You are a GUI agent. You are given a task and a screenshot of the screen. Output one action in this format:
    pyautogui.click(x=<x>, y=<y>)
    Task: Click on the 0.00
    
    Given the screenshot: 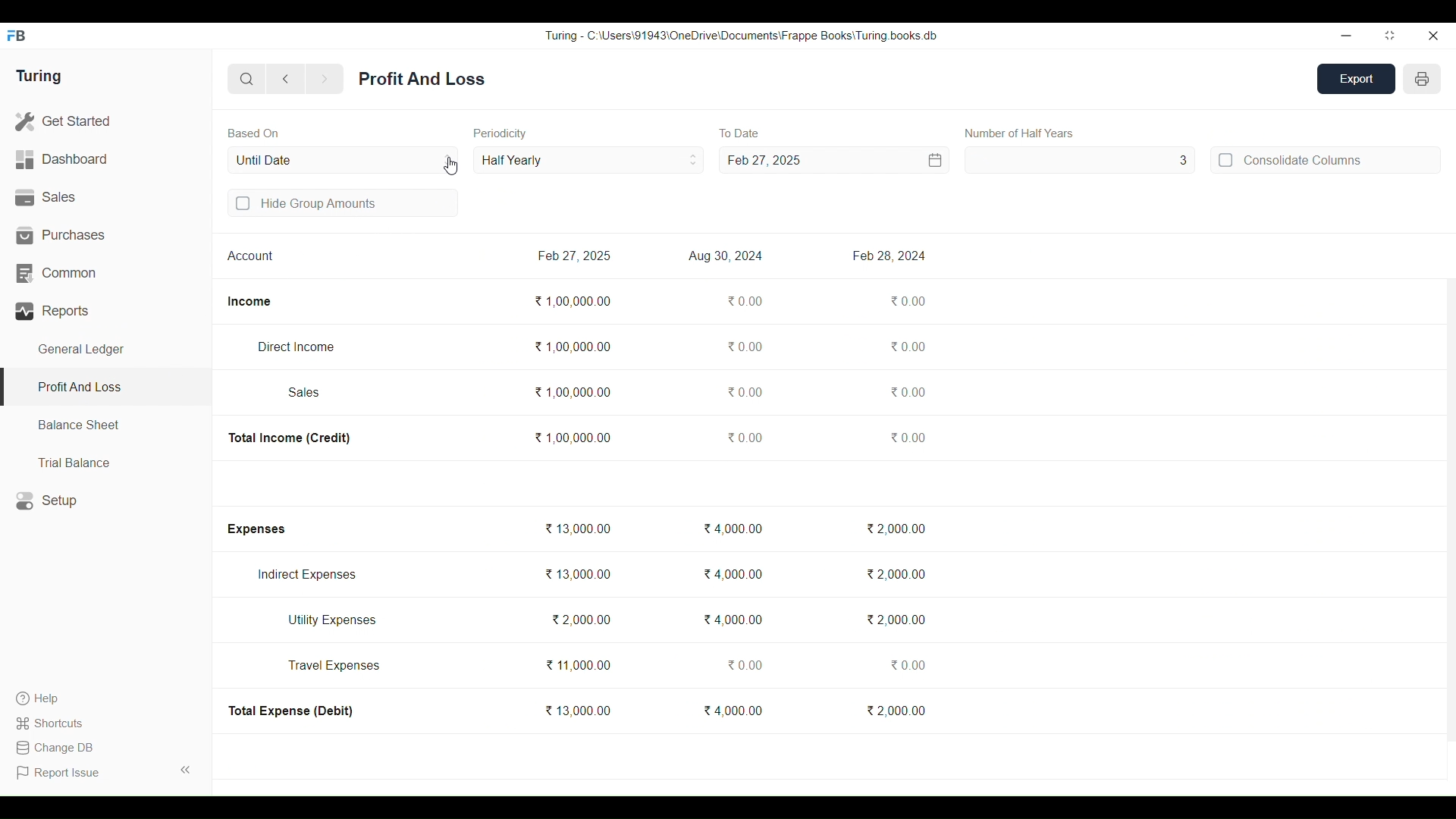 What is the action you would take?
    pyautogui.click(x=744, y=301)
    